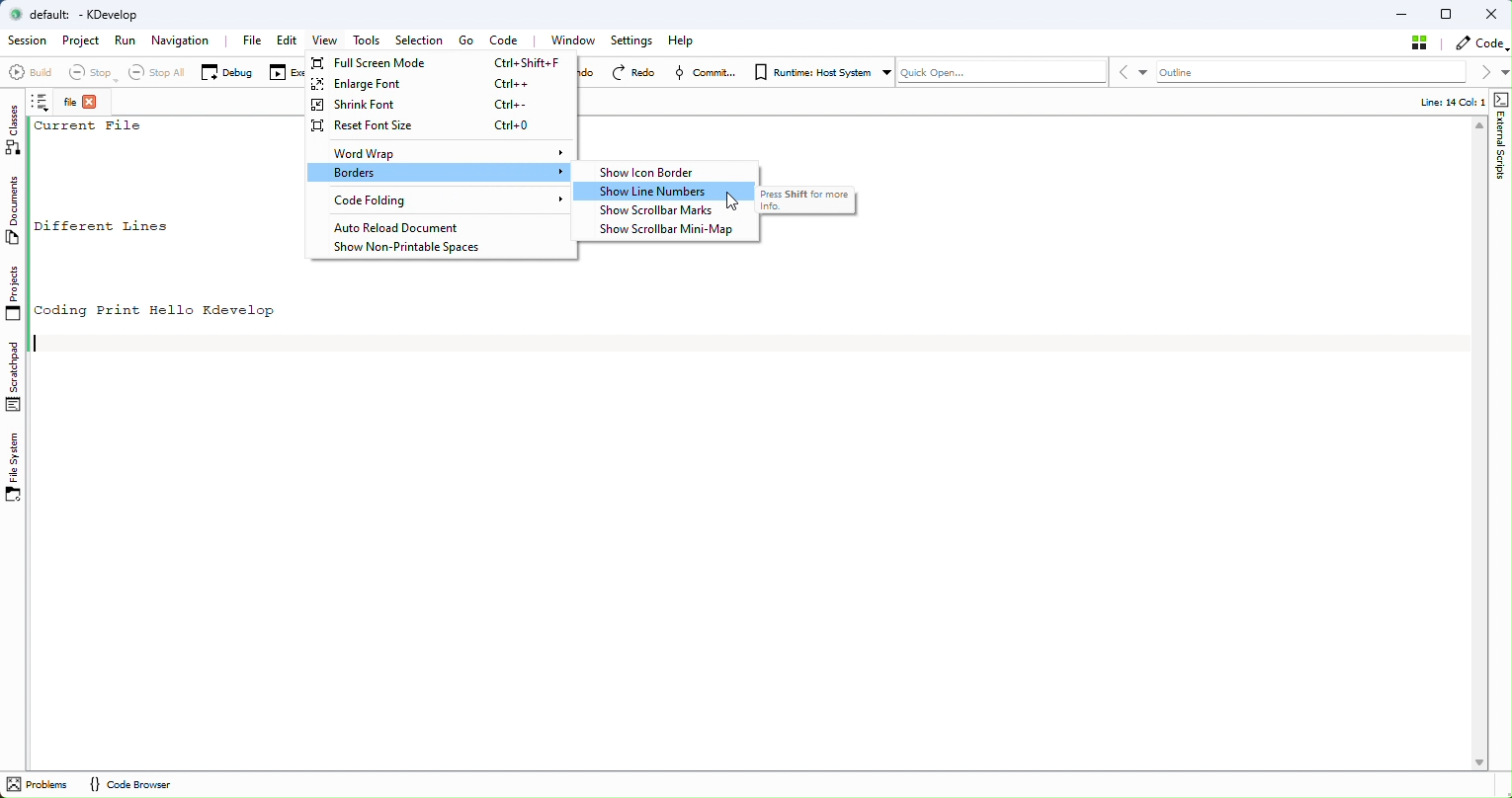 This screenshot has width=1512, height=798. What do you see at coordinates (442, 84) in the screenshot?
I see `Enlarge Font Ctrl++` at bounding box center [442, 84].